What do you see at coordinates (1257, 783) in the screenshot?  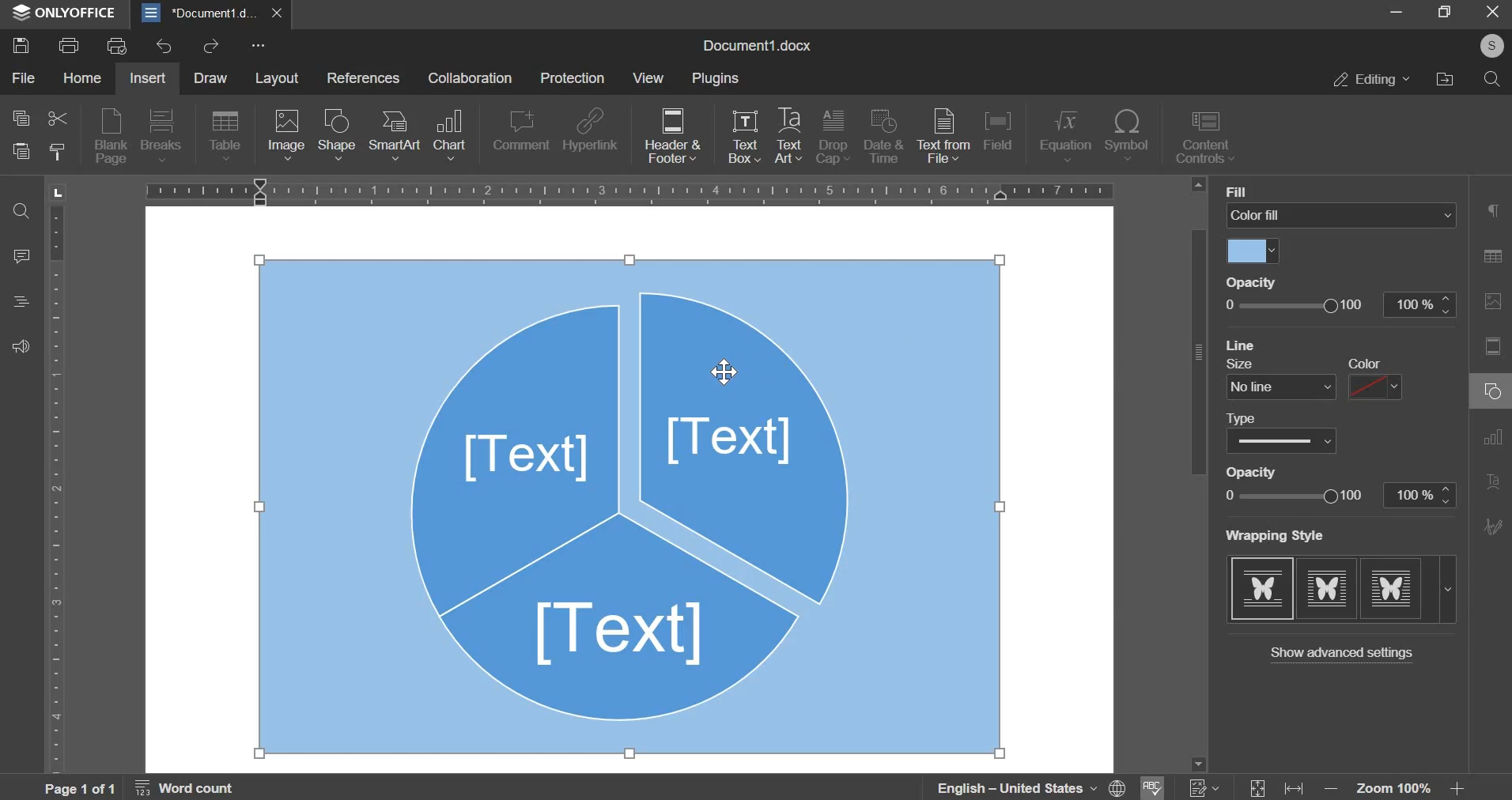 I see `fit size` at bounding box center [1257, 783].